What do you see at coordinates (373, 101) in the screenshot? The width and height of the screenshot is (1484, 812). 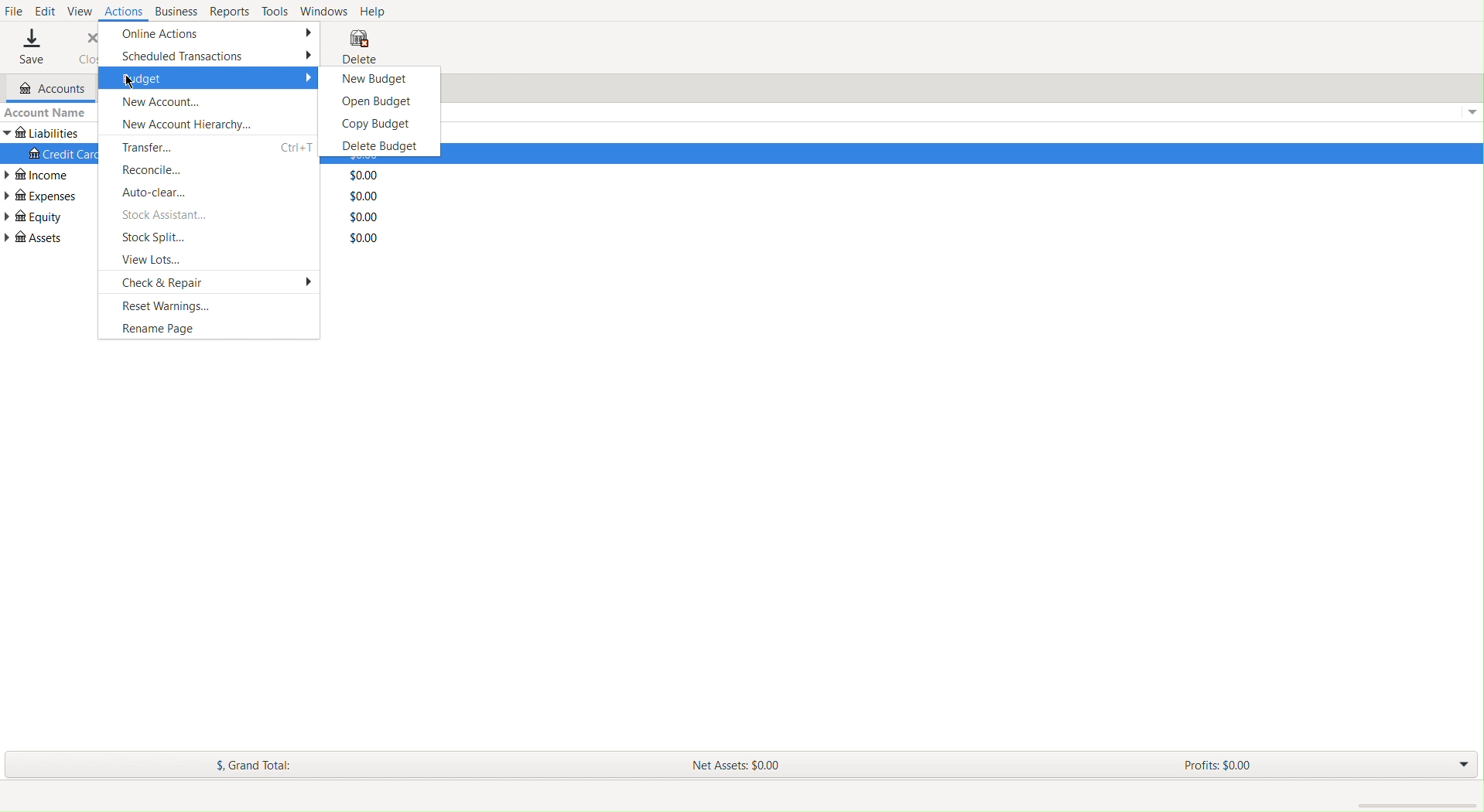 I see `Open Budget` at bounding box center [373, 101].